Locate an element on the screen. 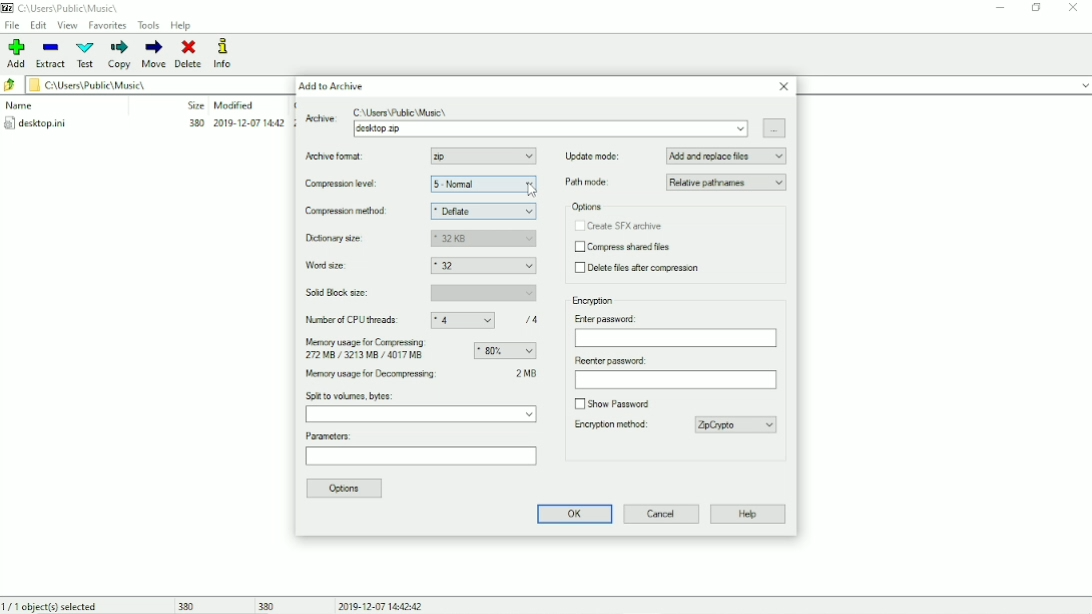 The height and width of the screenshot is (614, 1092). Compress shared files is located at coordinates (624, 248).